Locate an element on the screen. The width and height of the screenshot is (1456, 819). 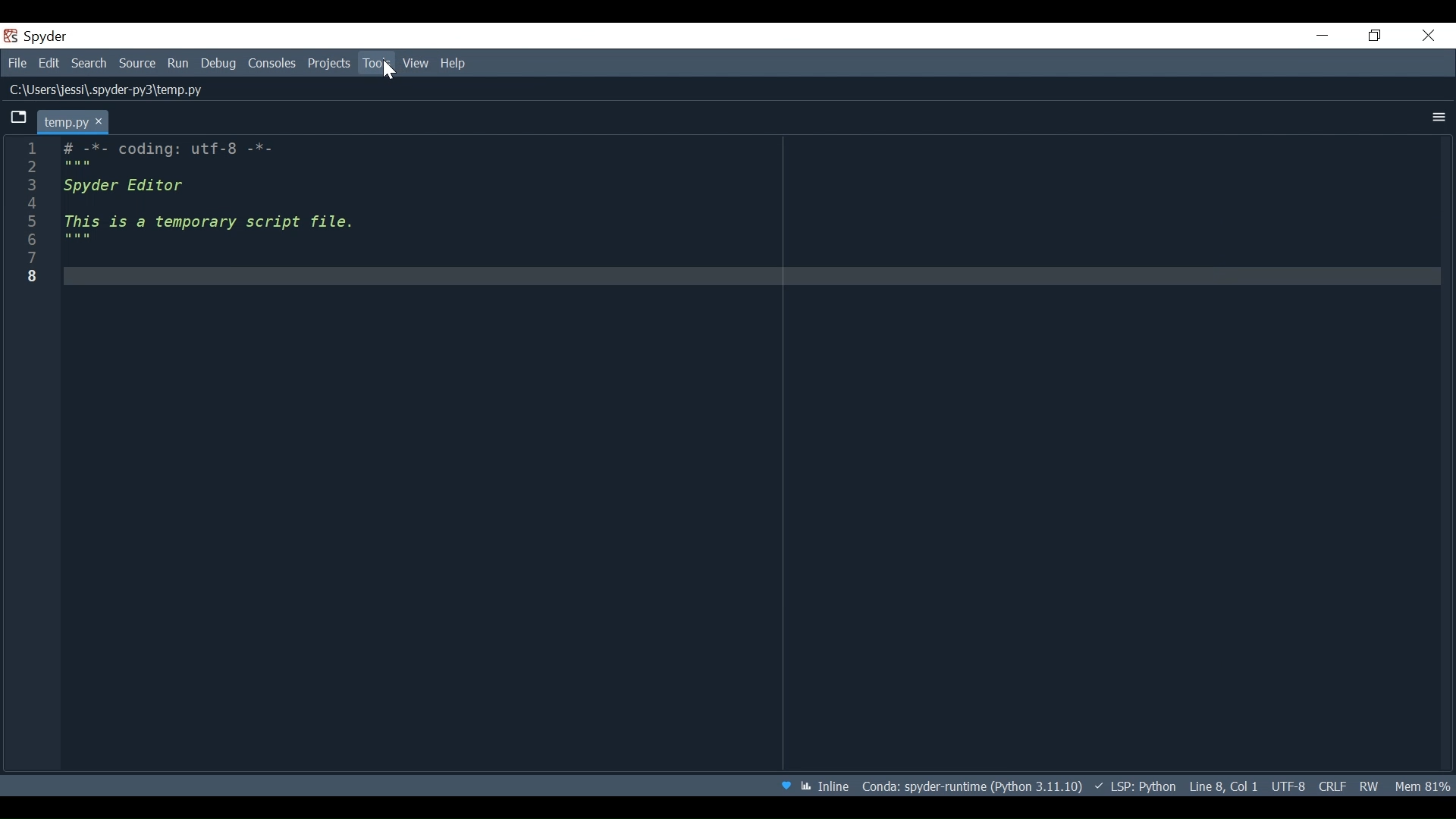
File Encoding is located at coordinates (1288, 786).